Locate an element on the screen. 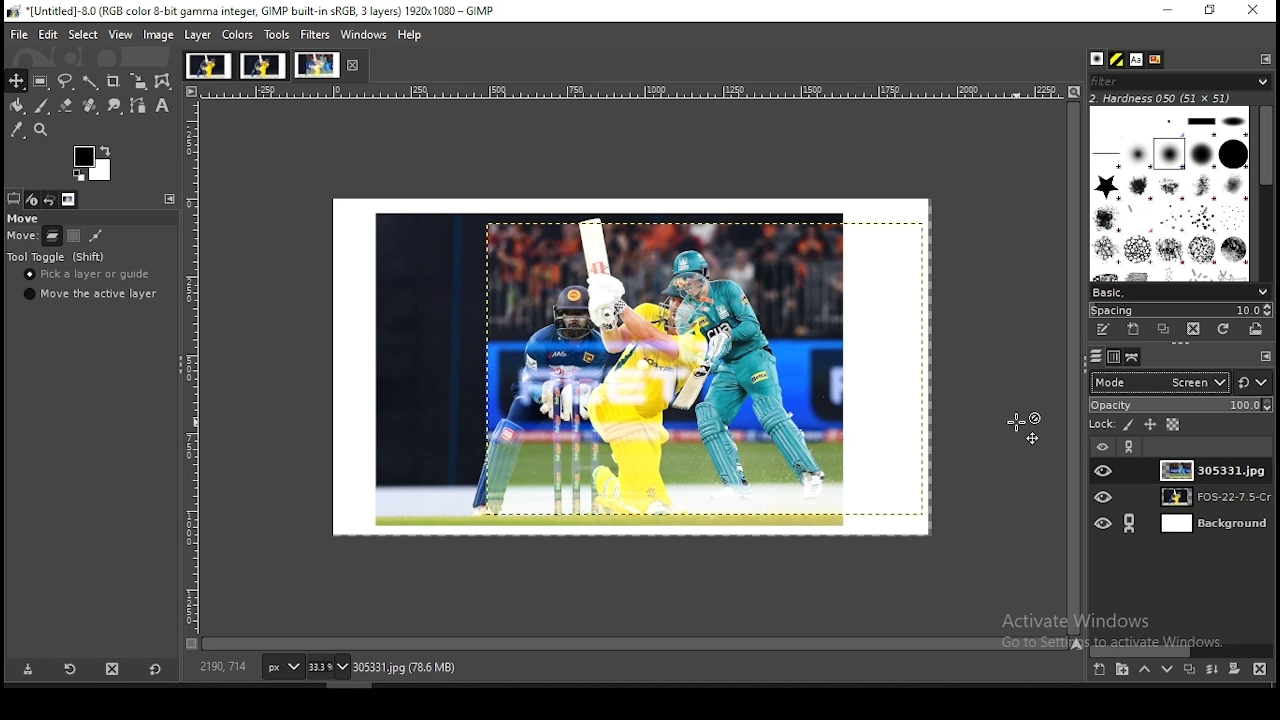  tool options is located at coordinates (14, 197).